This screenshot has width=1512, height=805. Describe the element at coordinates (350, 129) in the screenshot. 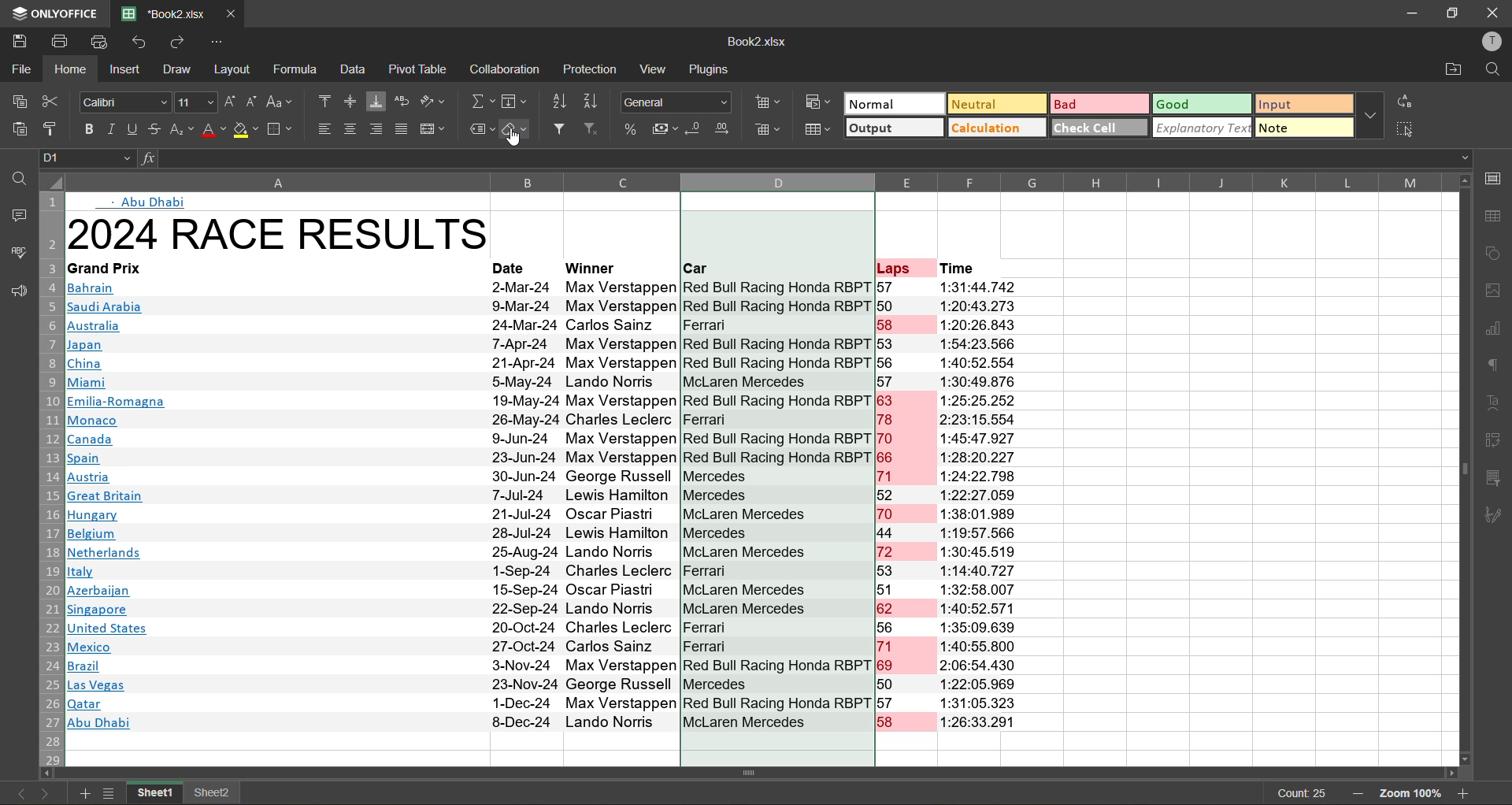

I see `align center` at that location.